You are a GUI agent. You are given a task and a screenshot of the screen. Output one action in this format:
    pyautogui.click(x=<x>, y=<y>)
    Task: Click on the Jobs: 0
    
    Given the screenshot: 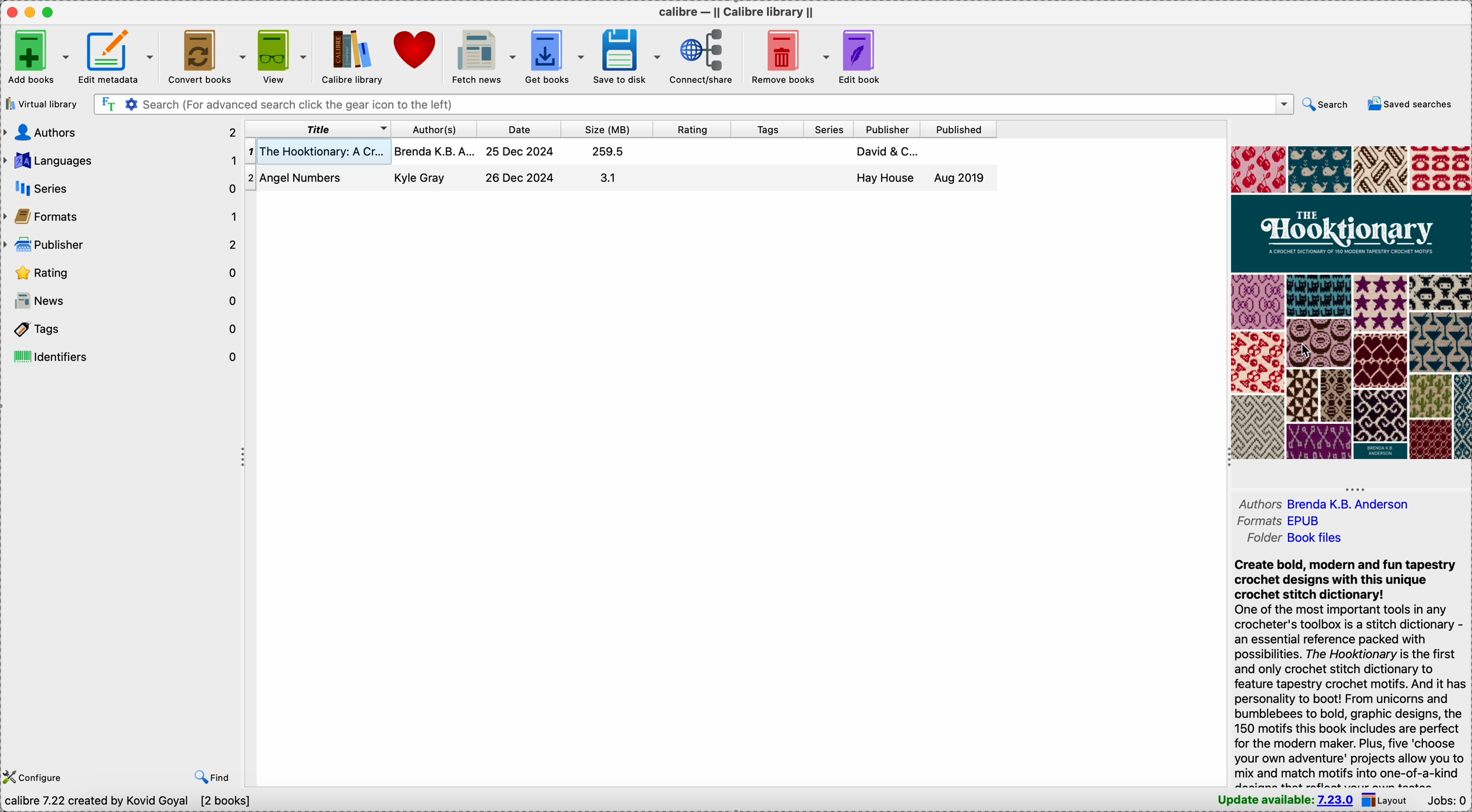 What is the action you would take?
    pyautogui.click(x=1447, y=802)
    